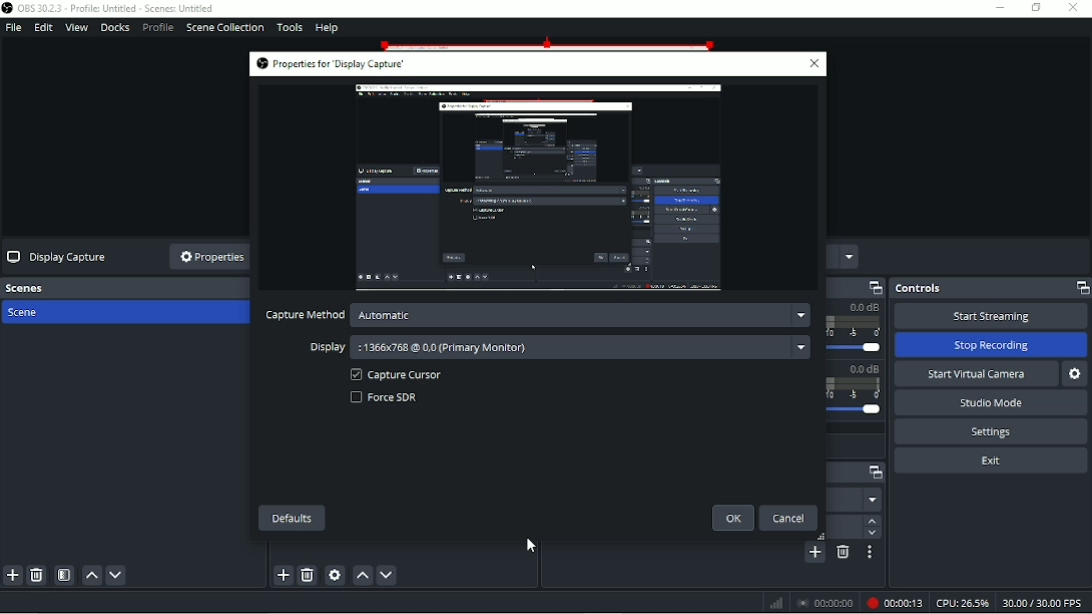 The height and width of the screenshot is (614, 1092). Describe the element at coordinates (843, 554) in the screenshot. I see `Remove configurable transition` at that location.